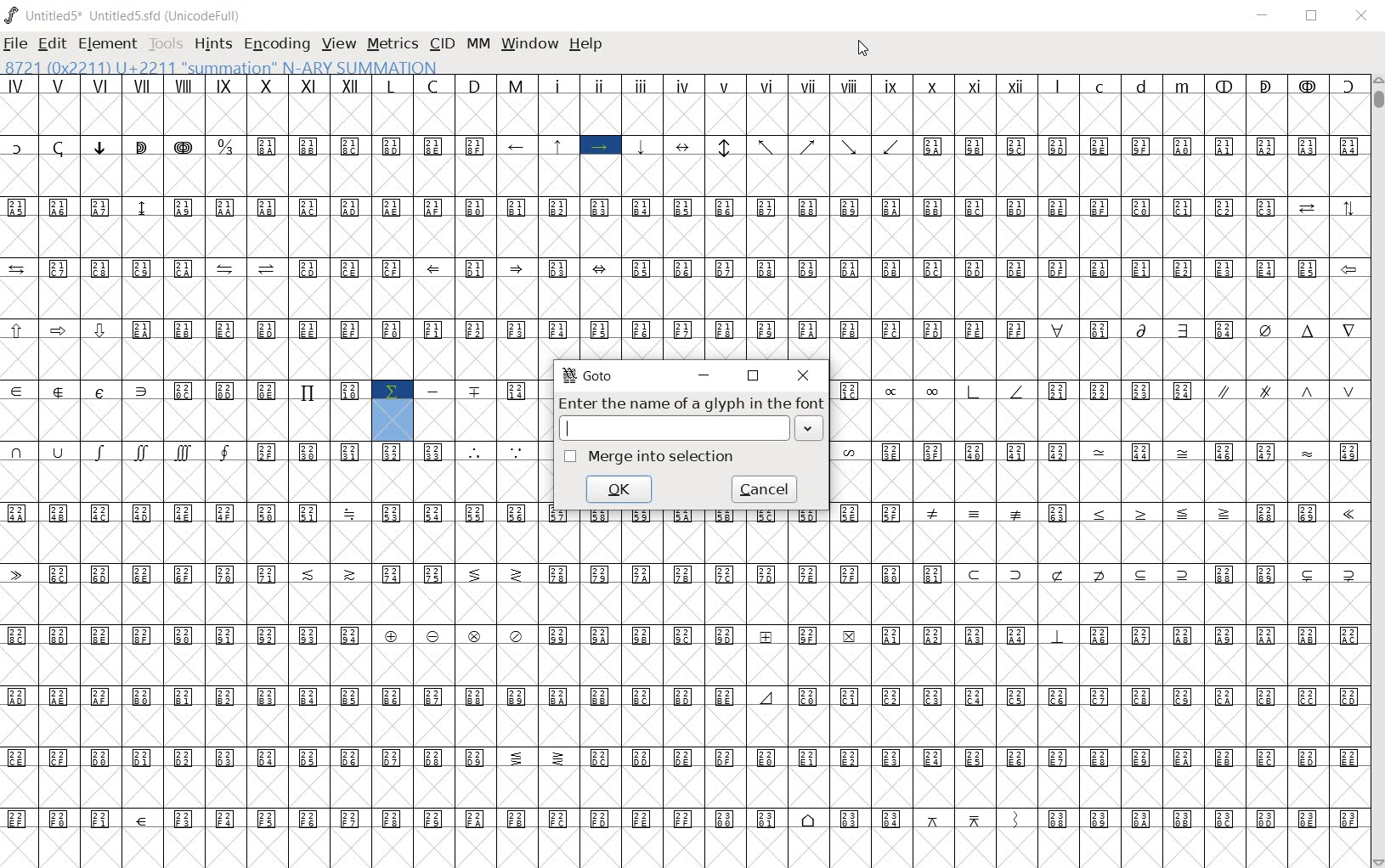 This screenshot has height=868, width=1385. I want to click on HINTS, so click(212, 45).